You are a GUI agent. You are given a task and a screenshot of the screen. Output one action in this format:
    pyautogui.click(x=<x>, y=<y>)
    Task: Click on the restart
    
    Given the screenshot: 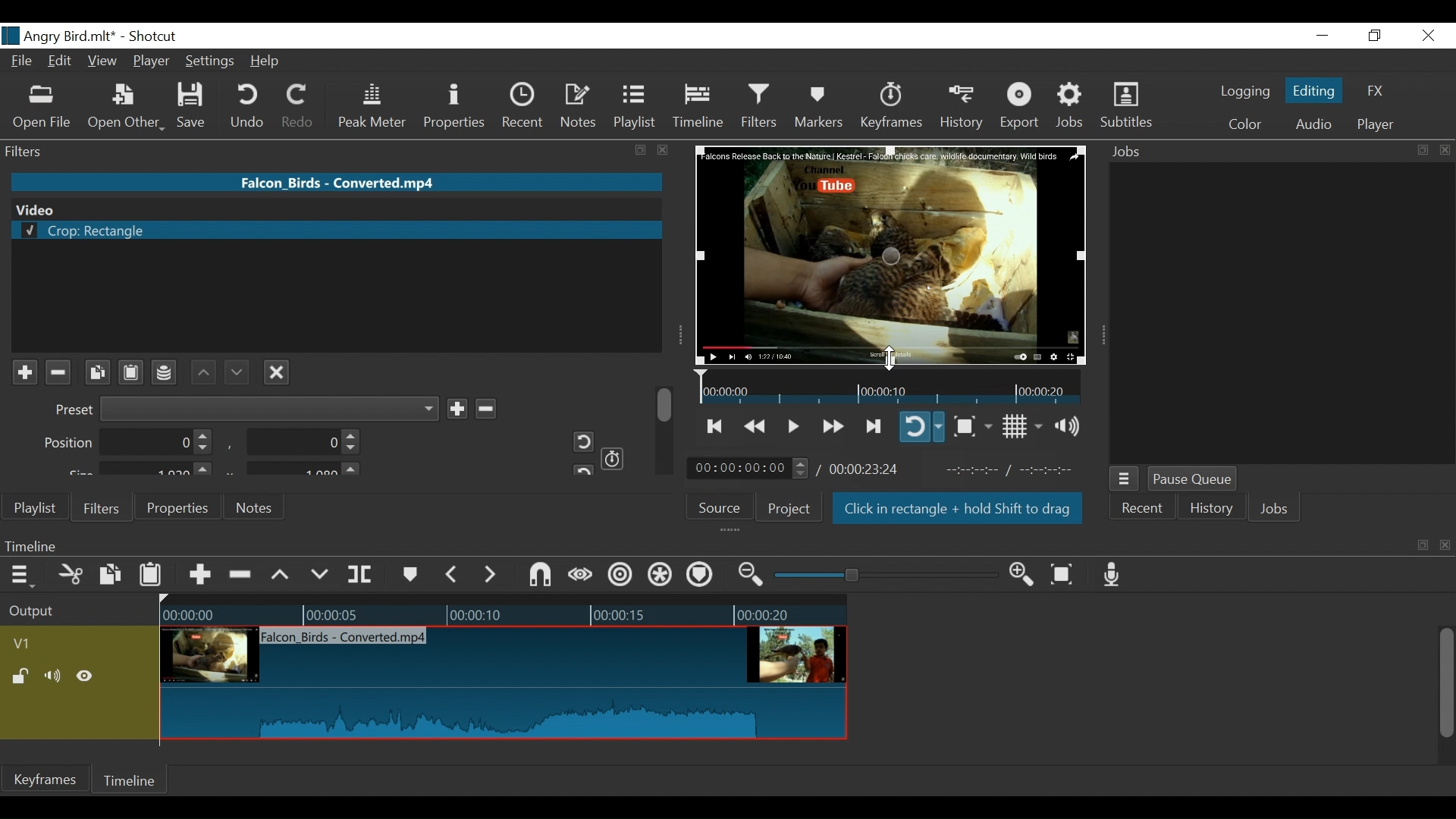 What is the action you would take?
    pyautogui.click(x=581, y=469)
    